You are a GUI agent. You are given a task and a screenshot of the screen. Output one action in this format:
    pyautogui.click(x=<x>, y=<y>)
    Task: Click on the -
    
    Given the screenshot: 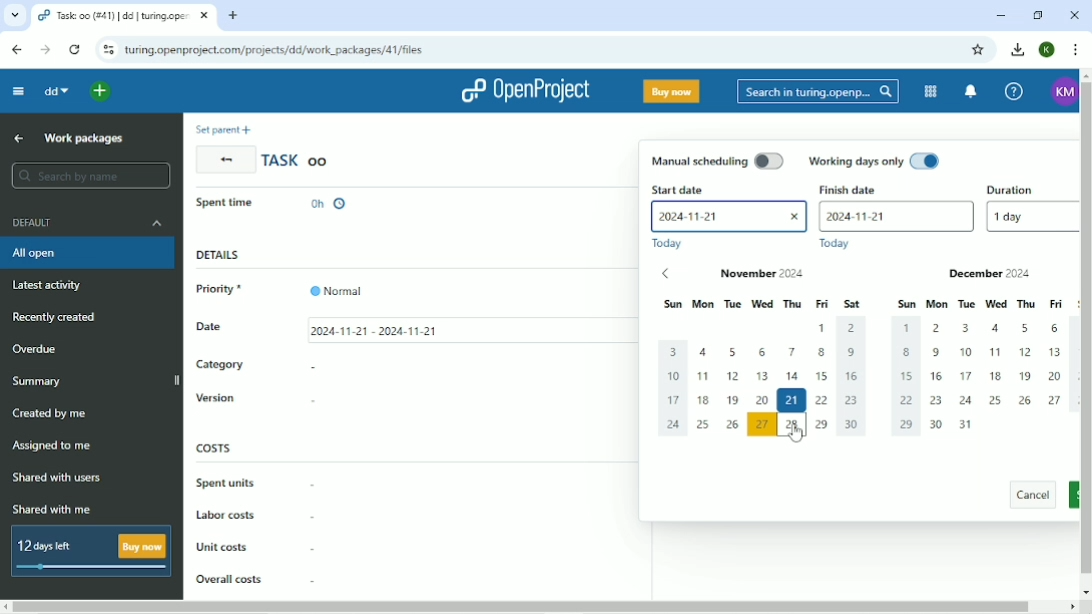 What is the action you would take?
    pyautogui.click(x=313, y=581)
    